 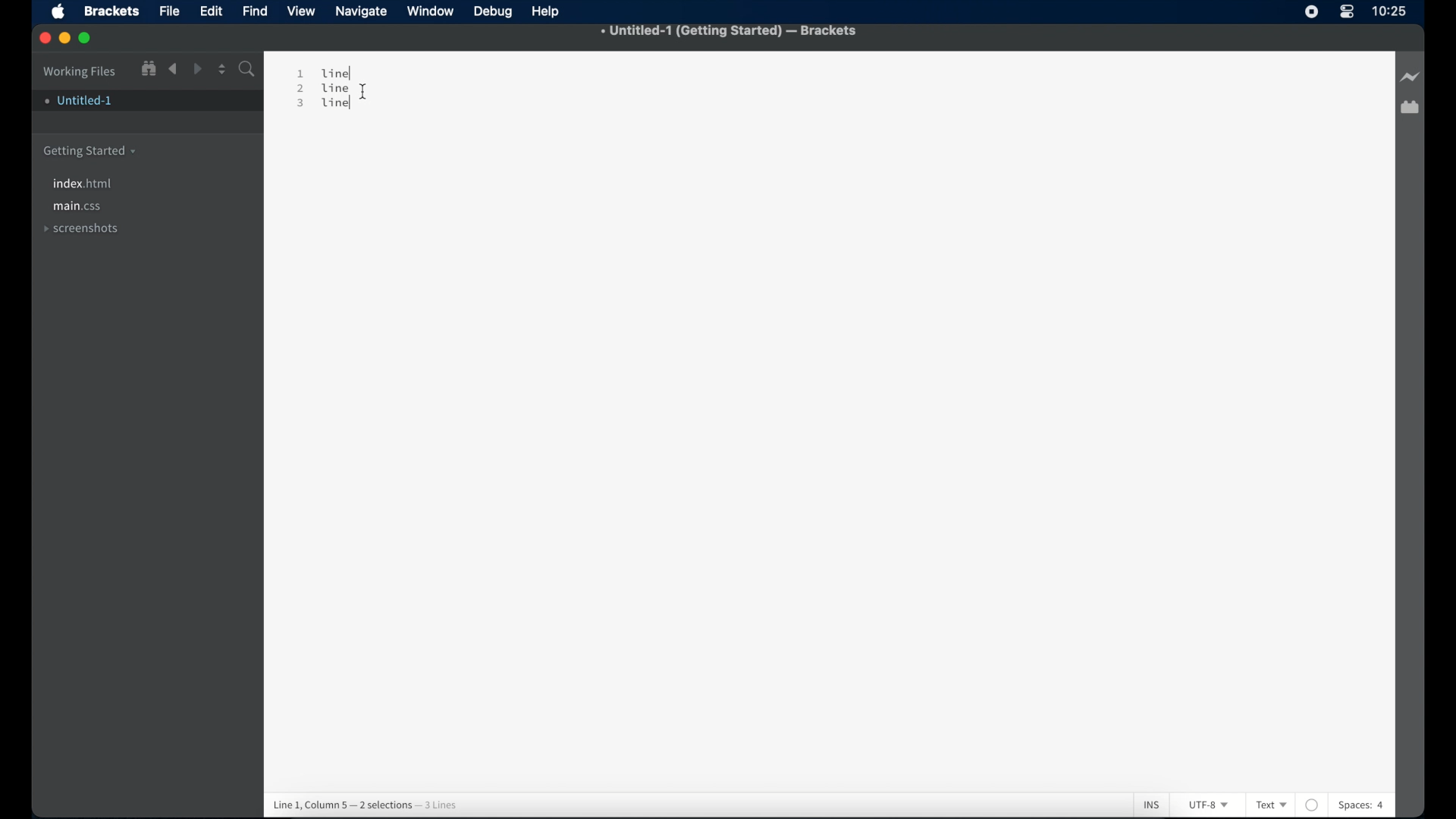 I want to click on line  3, column 5 - 3 lines, so click(x=362, y=799).